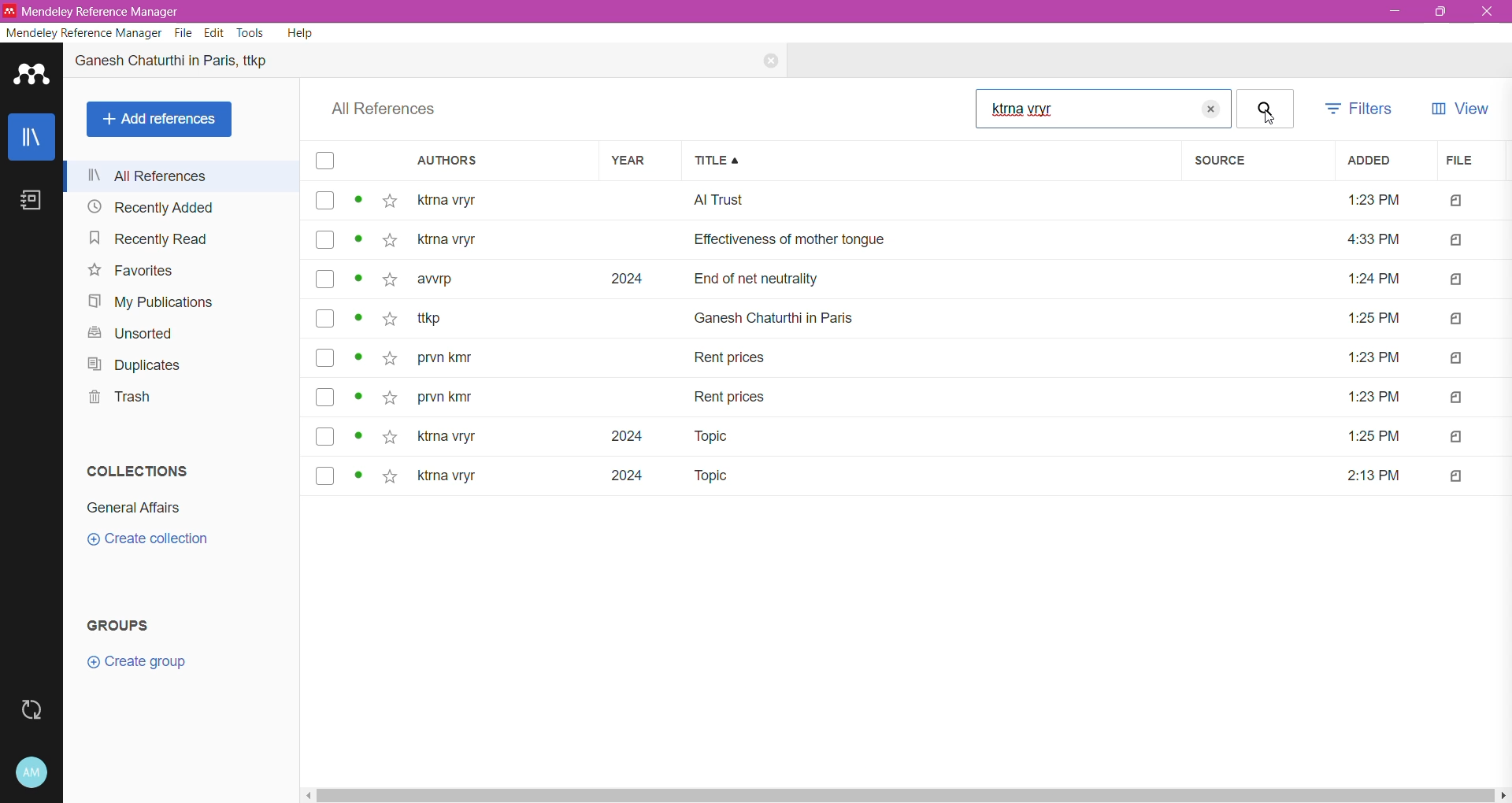 The width and height of the screenshot is (1512, 803). What do you see at coordinates (185, 176) in the screenshot?
I see `All References` at bounding box center [185, 176].